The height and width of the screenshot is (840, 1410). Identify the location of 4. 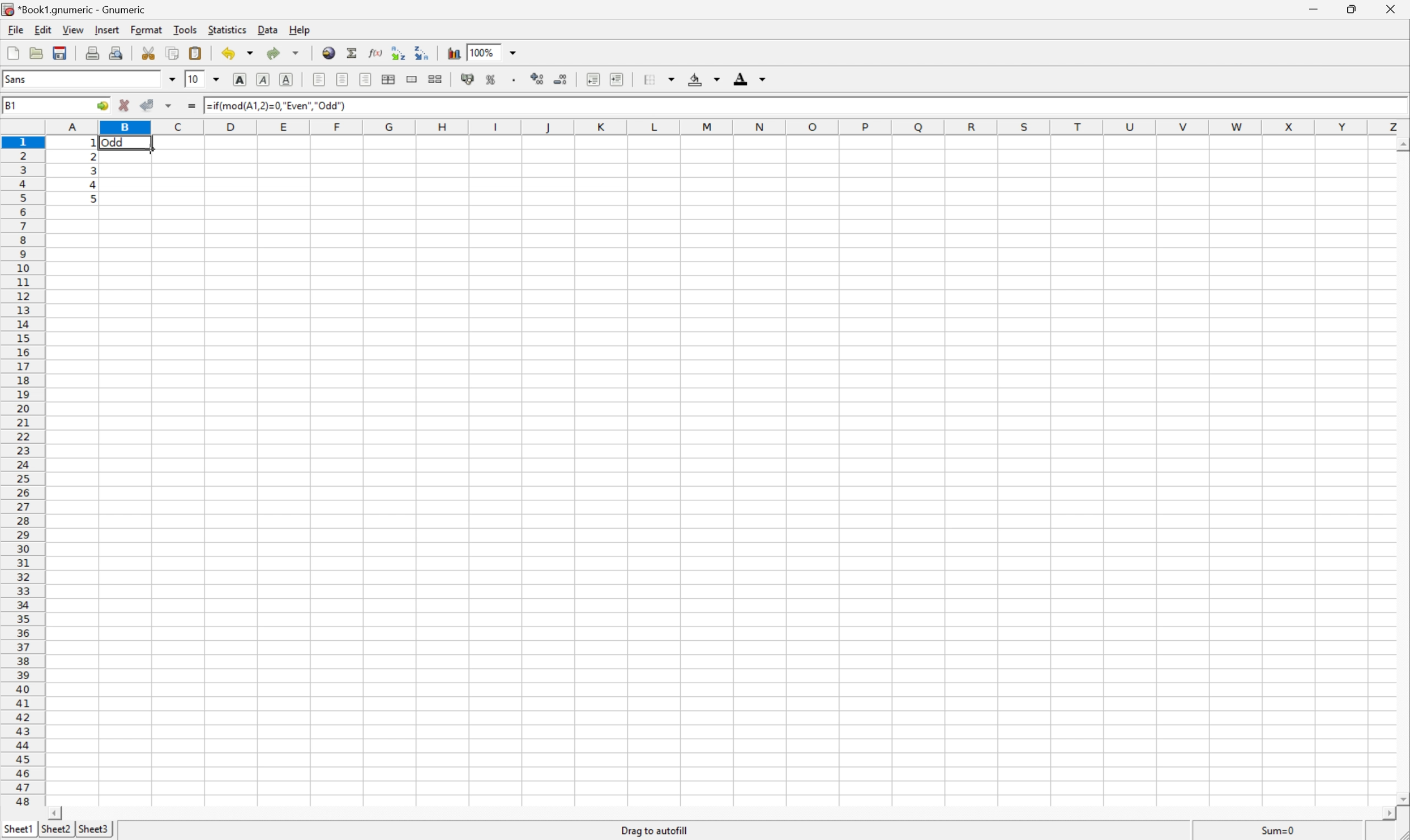
(95, 185).